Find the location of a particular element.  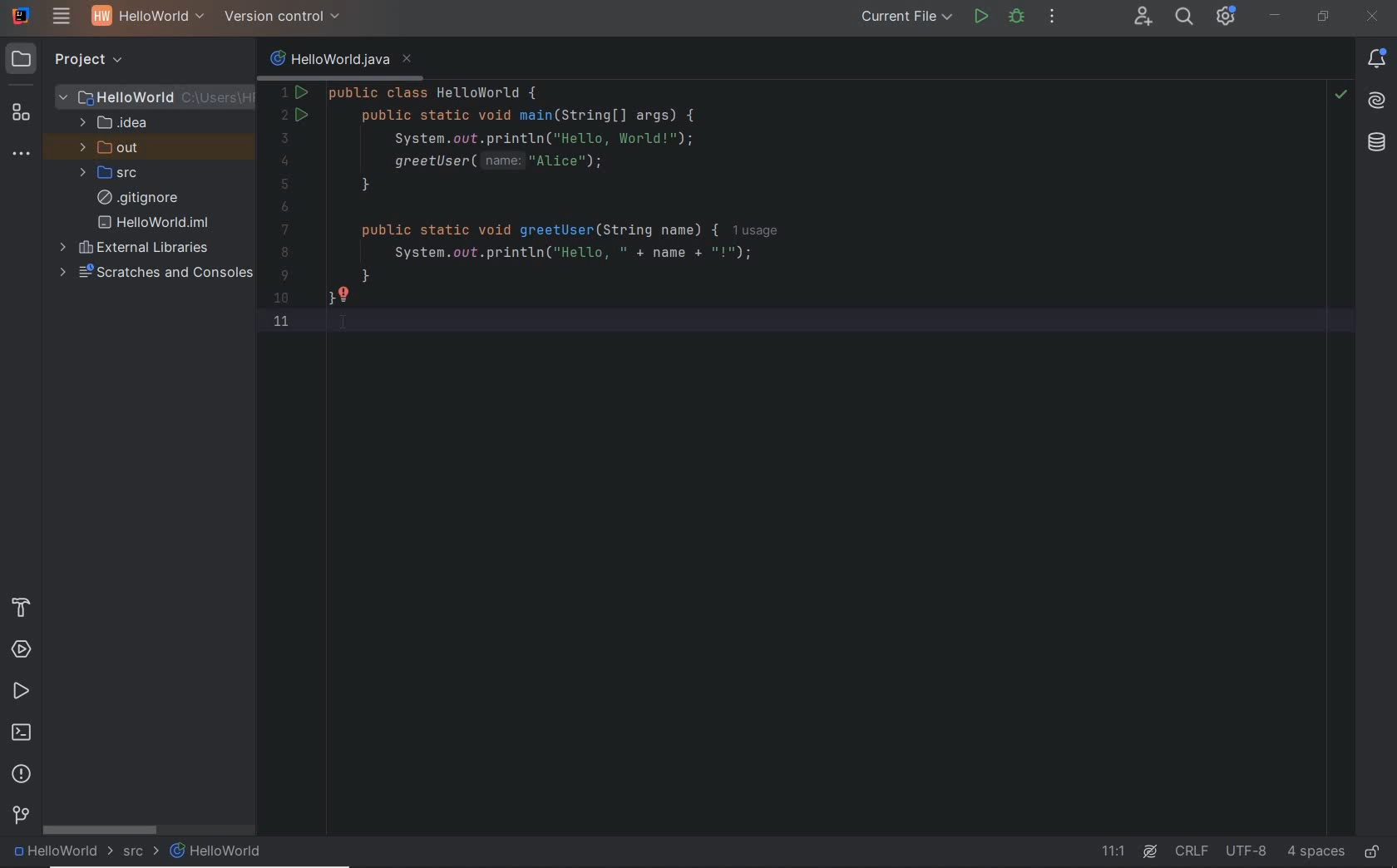

src is located at coordinates (141, 853).